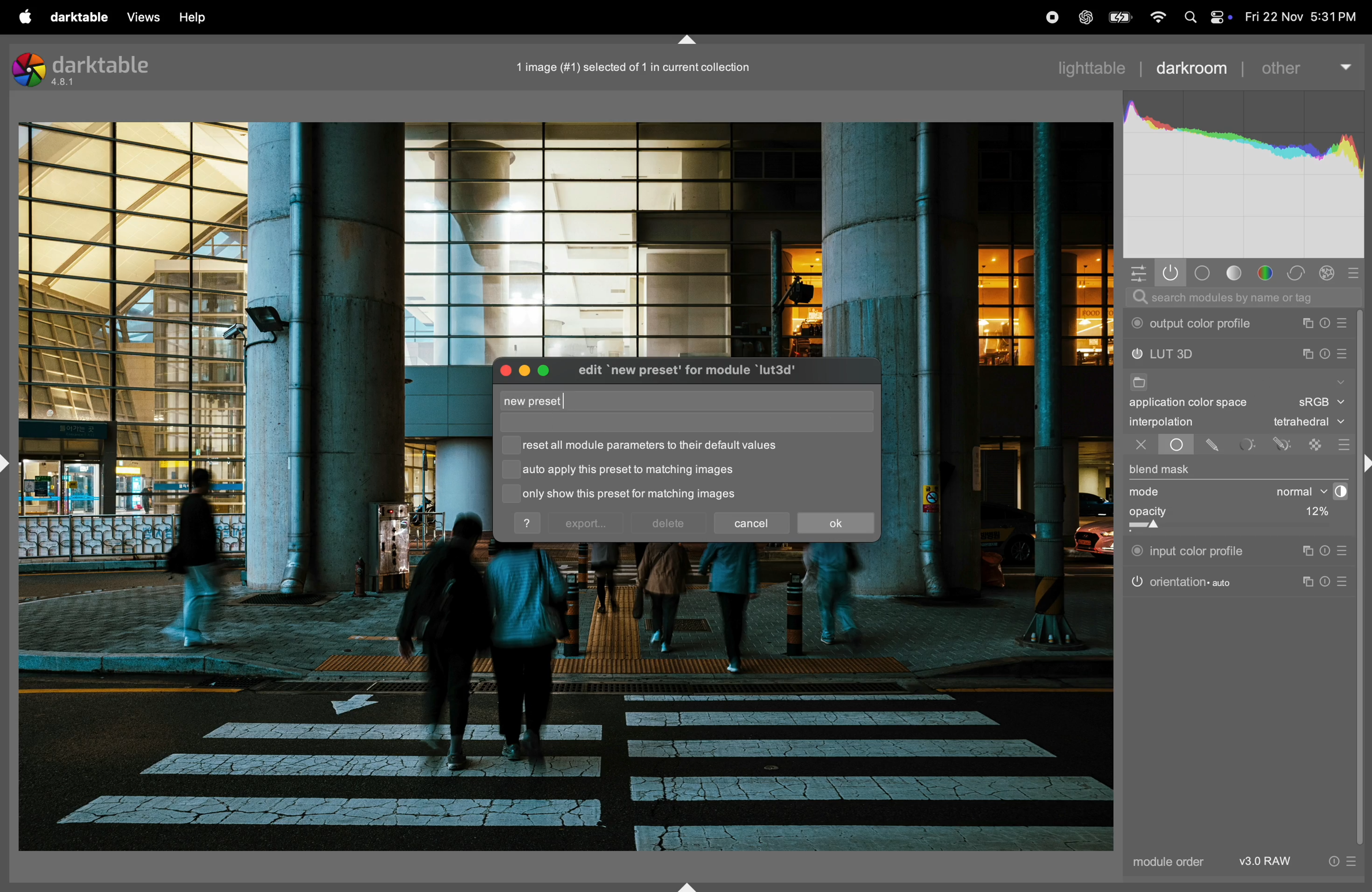 This screenshot has height=892, width=1372. Describe the element at coordinates (1095, 67) in the screenshot. I see `lightable` at that location.